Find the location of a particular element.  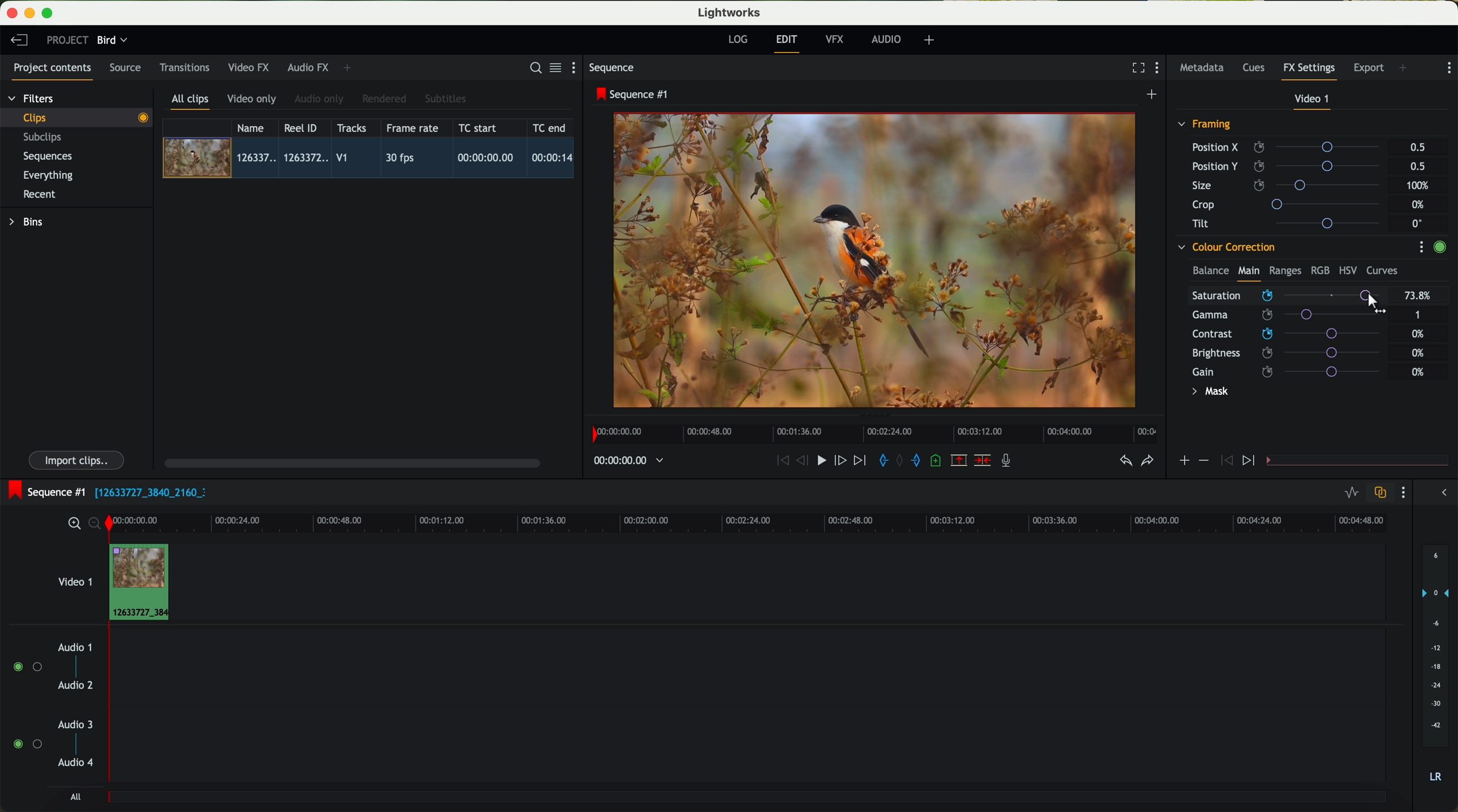

show settings menu is located at coordinates (1160, 69).